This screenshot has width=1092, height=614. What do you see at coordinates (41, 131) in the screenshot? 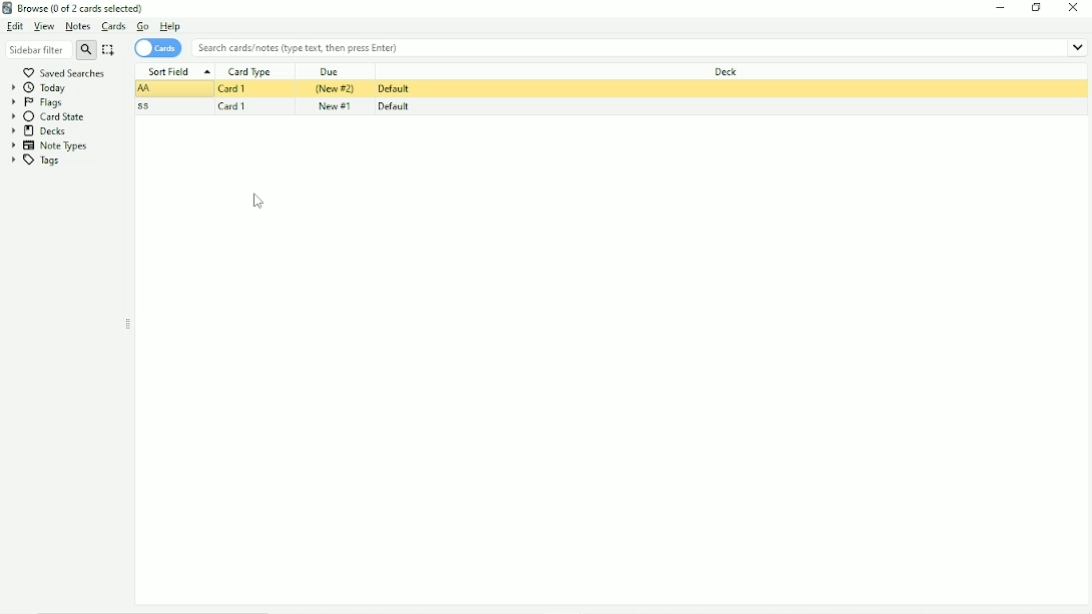
I see `Decks` at bounding box center [41, 131].